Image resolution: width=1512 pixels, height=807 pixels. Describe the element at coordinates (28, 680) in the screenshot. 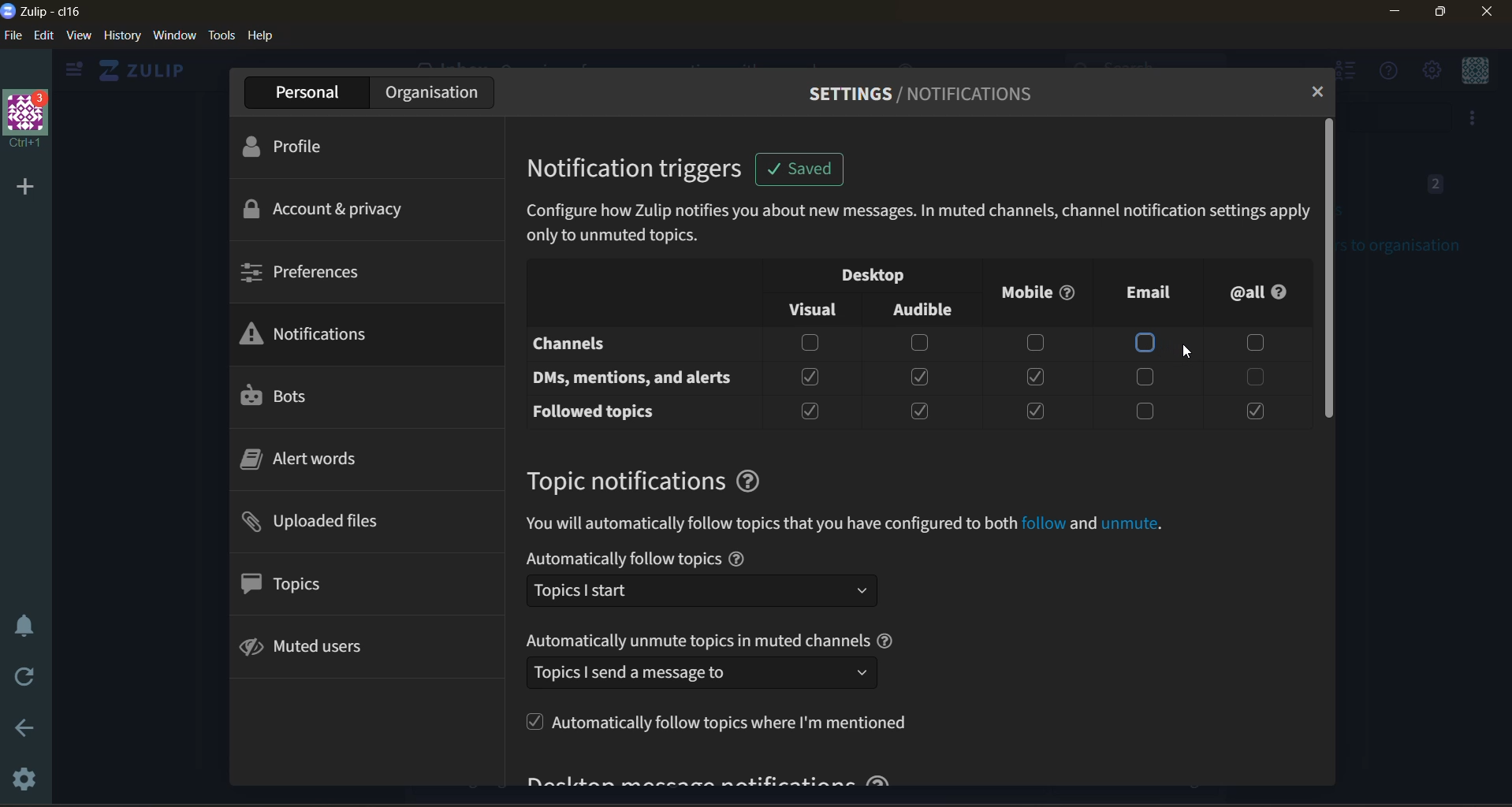

I see `reload` at that location.